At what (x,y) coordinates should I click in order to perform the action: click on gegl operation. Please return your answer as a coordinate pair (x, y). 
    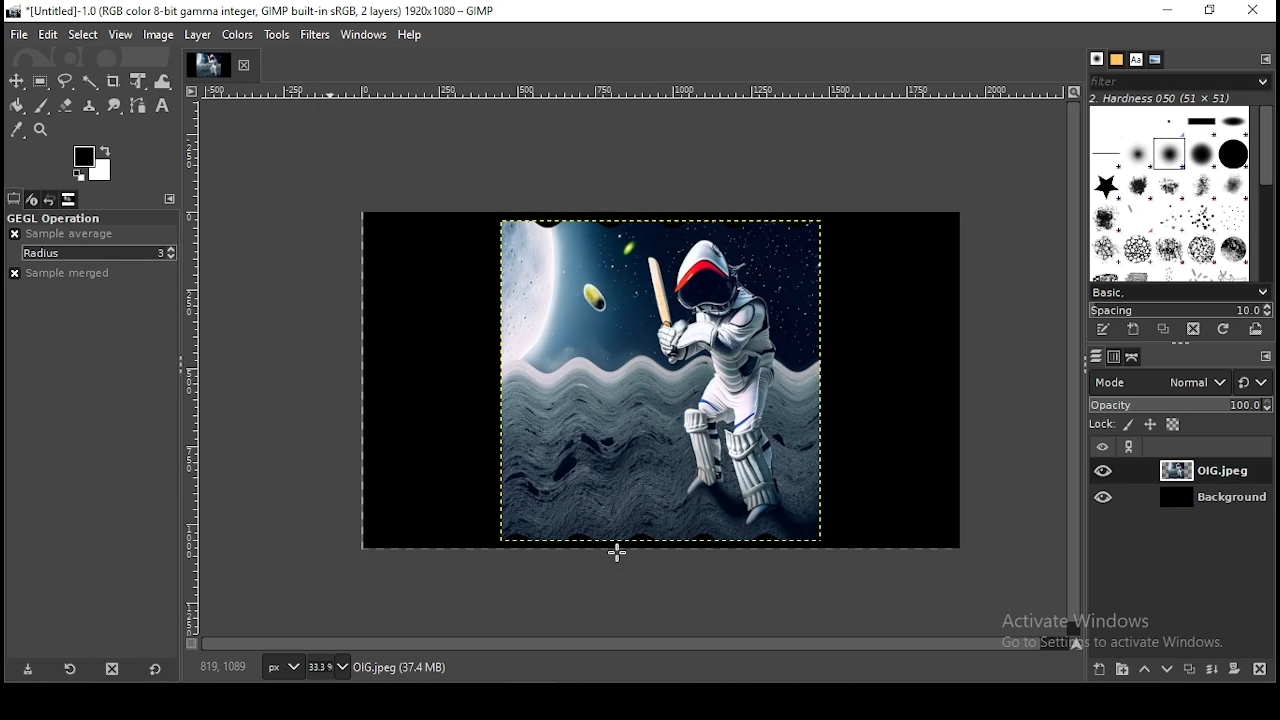
    Looking at the image, I should click on (89, 218).